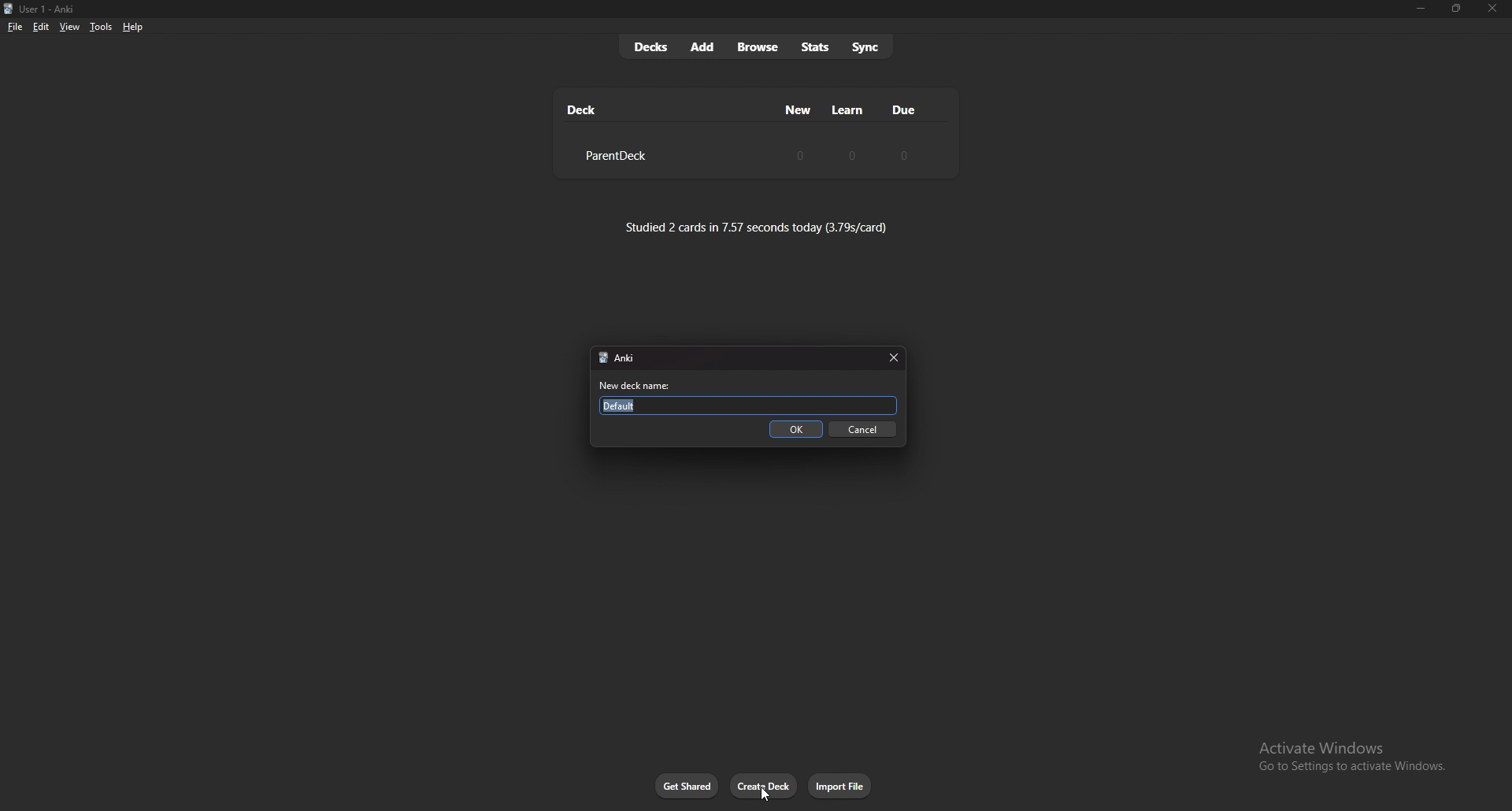  I want to click on studied 2 cards in 7.57 seconds today (3.79s/card), so click(757, 227).